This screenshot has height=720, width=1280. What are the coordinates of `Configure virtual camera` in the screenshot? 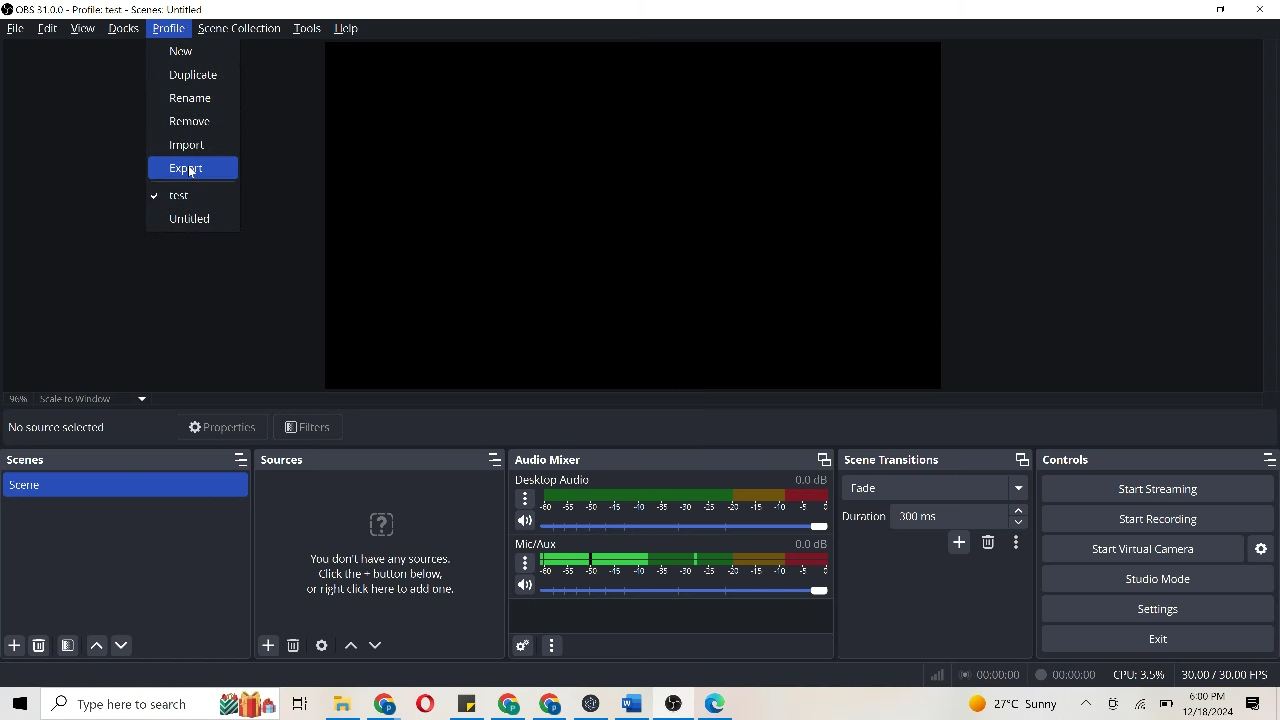 It's located at (1263, 547).